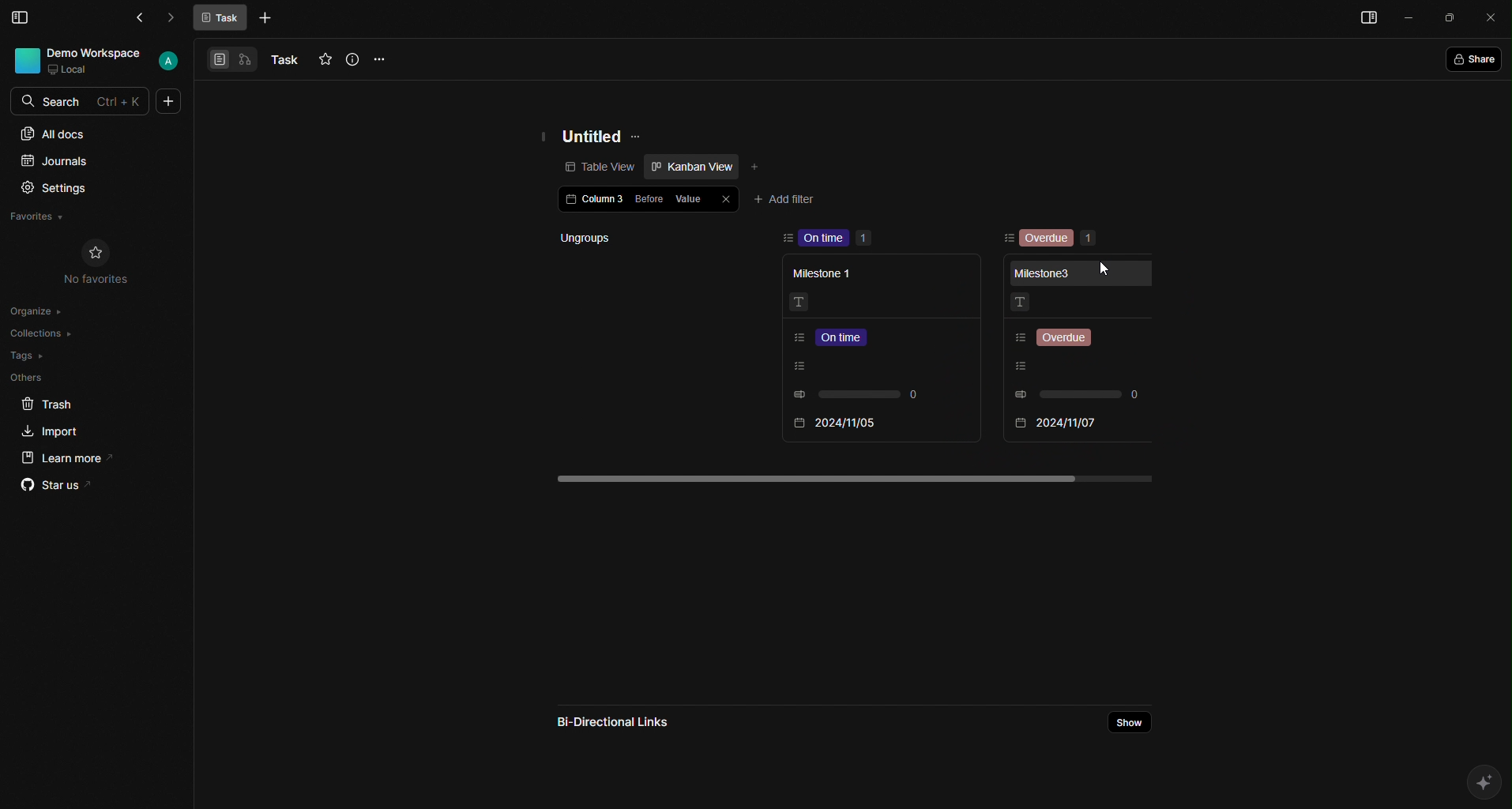  Describe the element at coordinates (1044, 272) in the screenshot. I see `Milestone 3` at that location.